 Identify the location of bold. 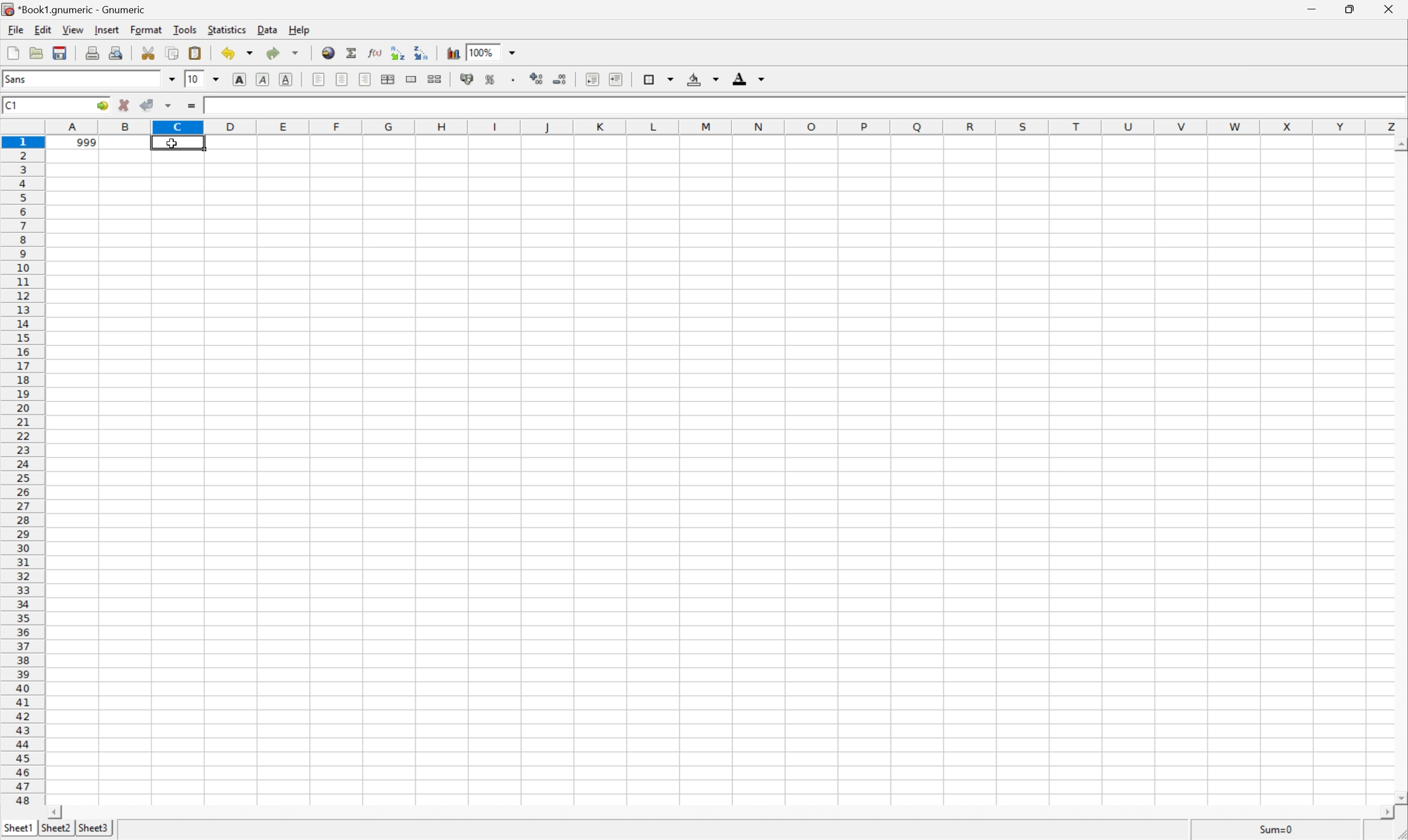
(242, 78).